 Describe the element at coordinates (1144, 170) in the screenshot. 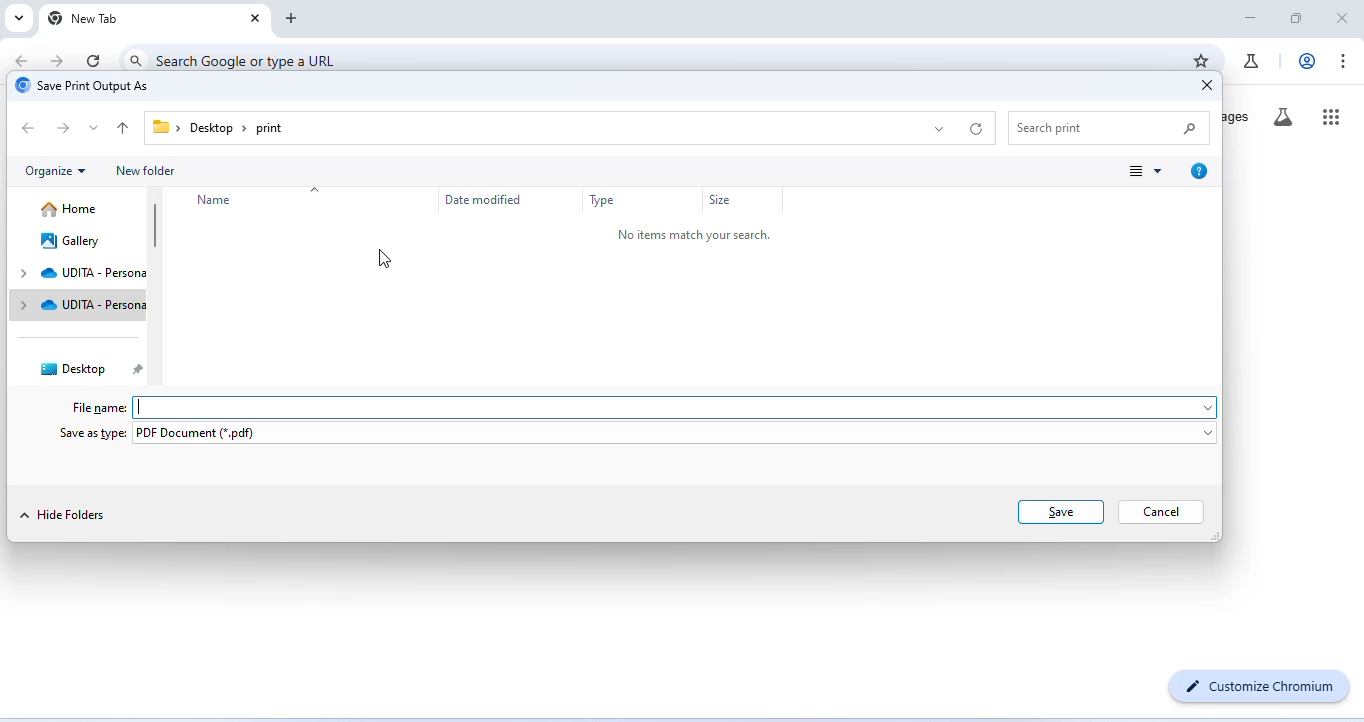

I see `change view` at that location.